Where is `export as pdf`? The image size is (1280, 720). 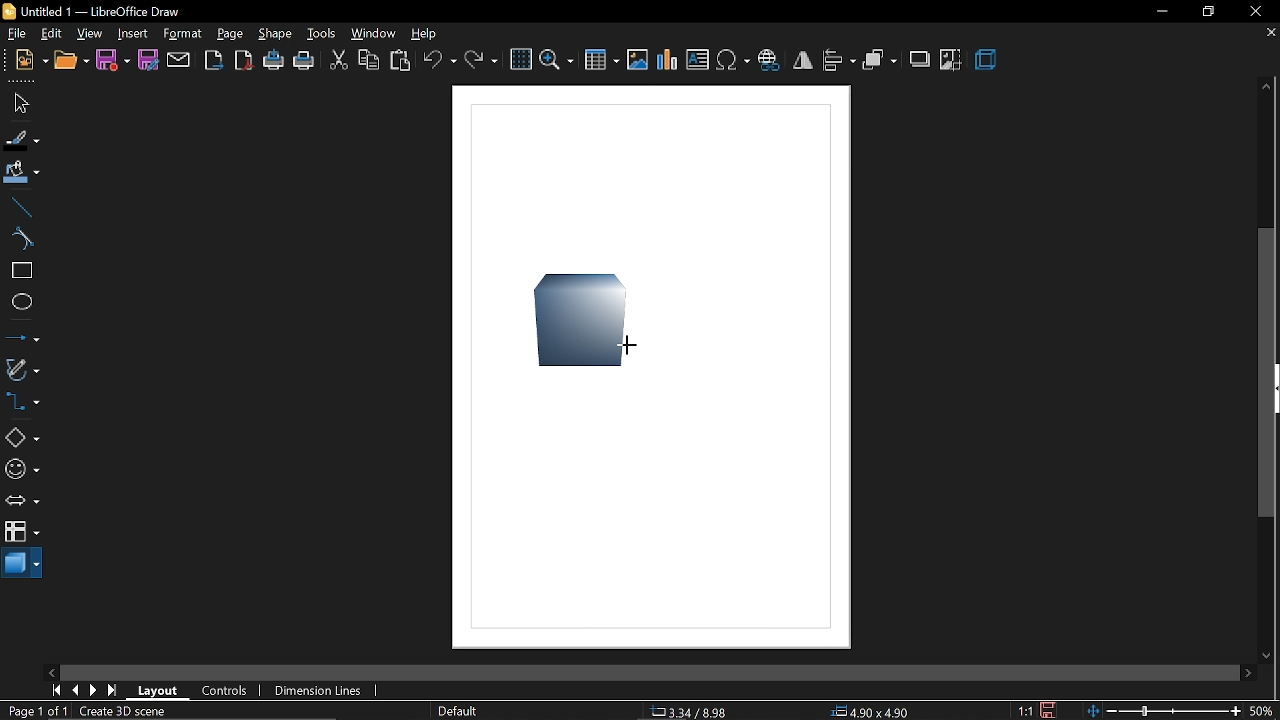 export as pdf is located at coordinates (243, 61).